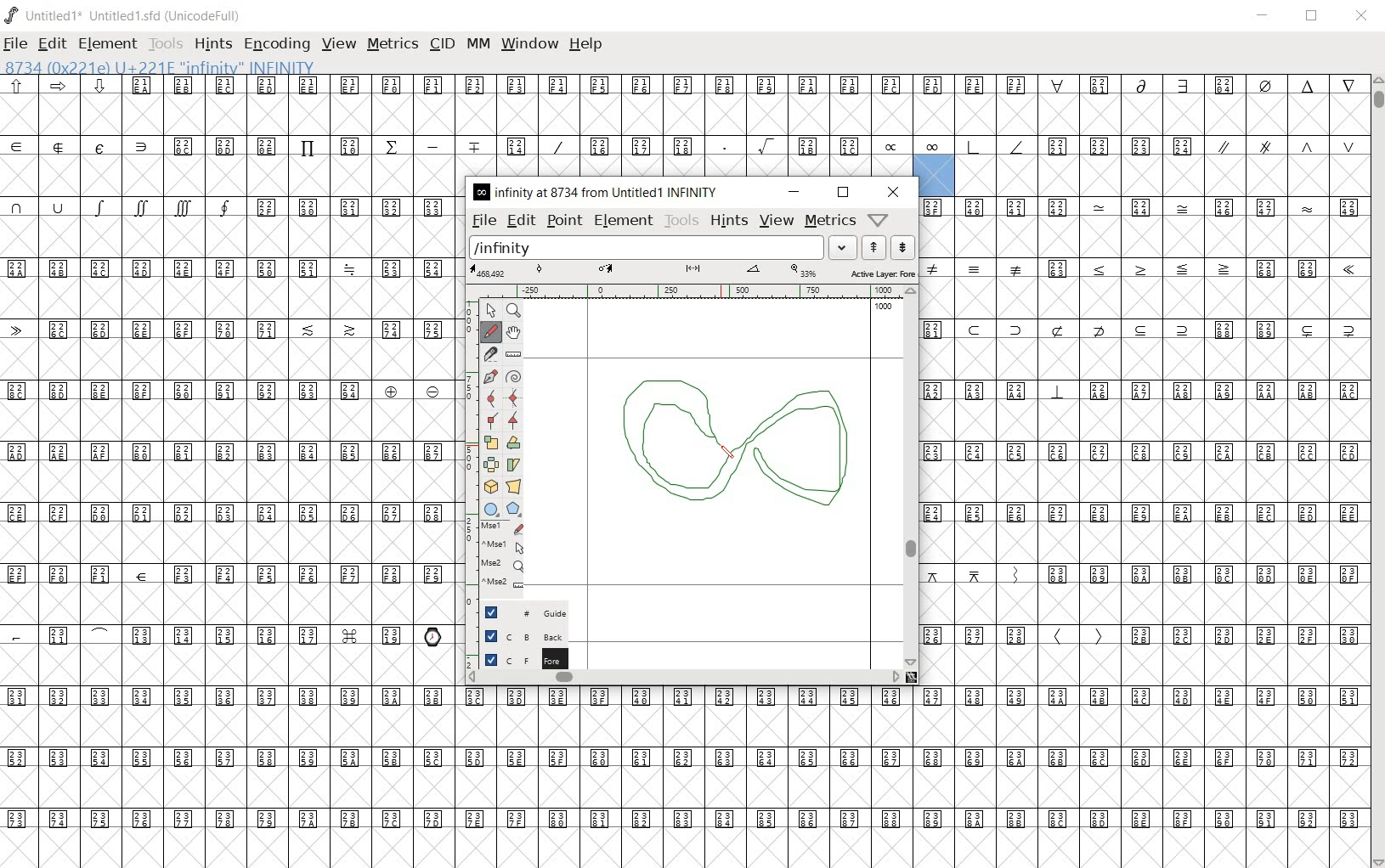 Image resolution: width=1385 pixels, height=868 pixels. Describe the element at coordinates (1118, 146) in the screenshot. I see `Unicode code points` at that location.